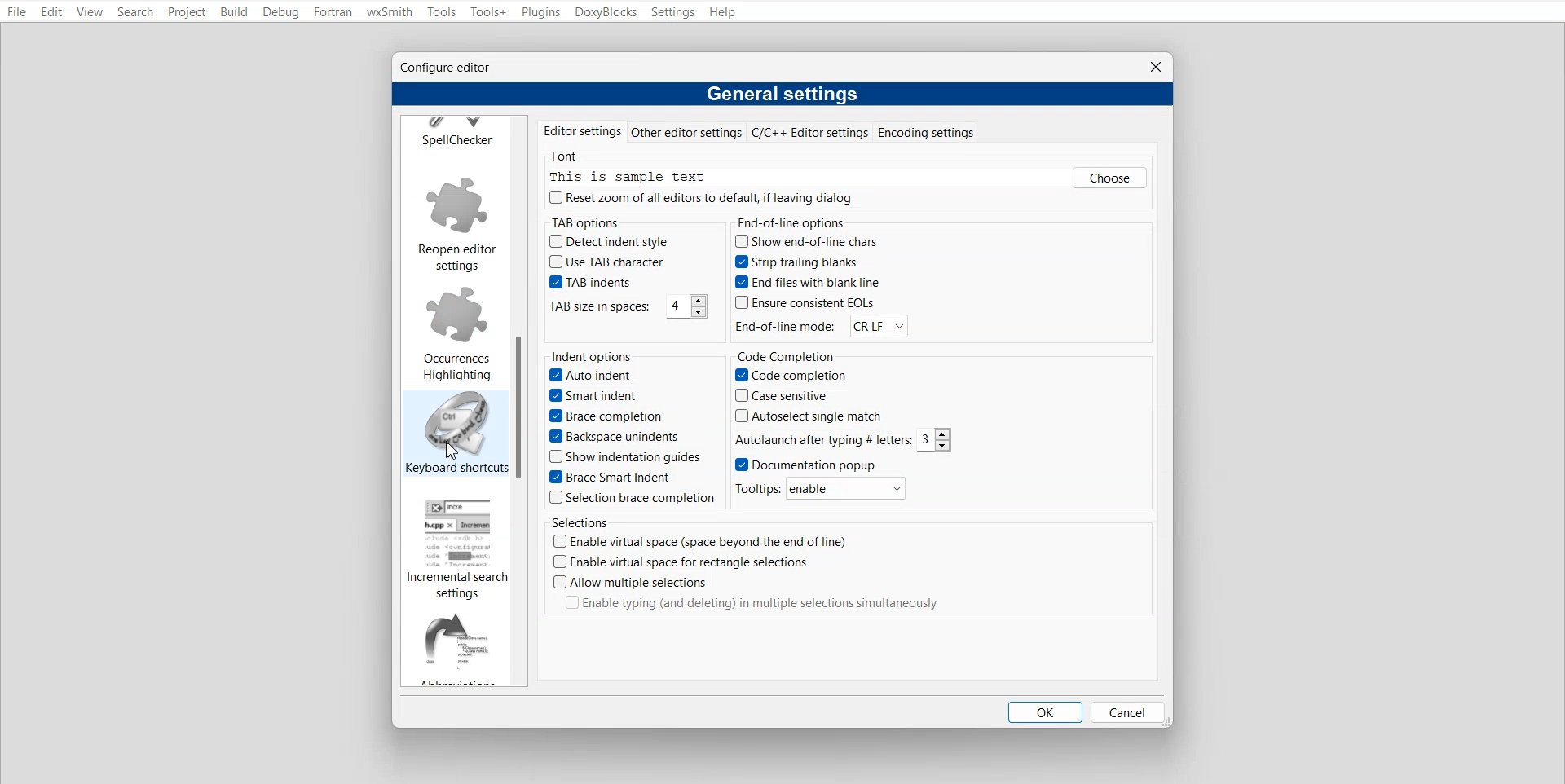 The width and height of the screenshot is (1565, 784). Describe the element at coordinates (633, 583) in the screenshot. I see `(7) Allow multiple selections` at that location.